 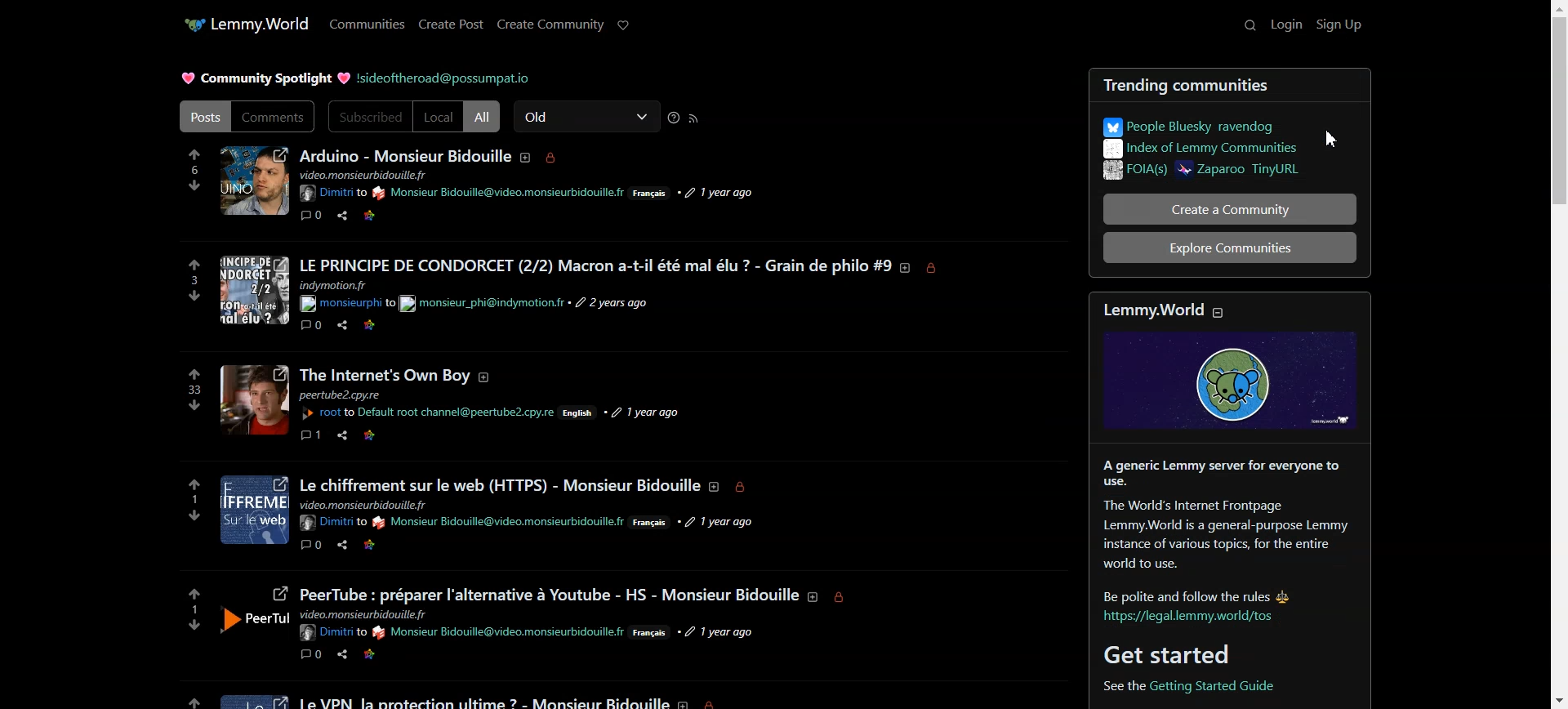 What do you see at coordinates (906, 268) in the screenshot?
I see `about` at bounding box center [906, 268].